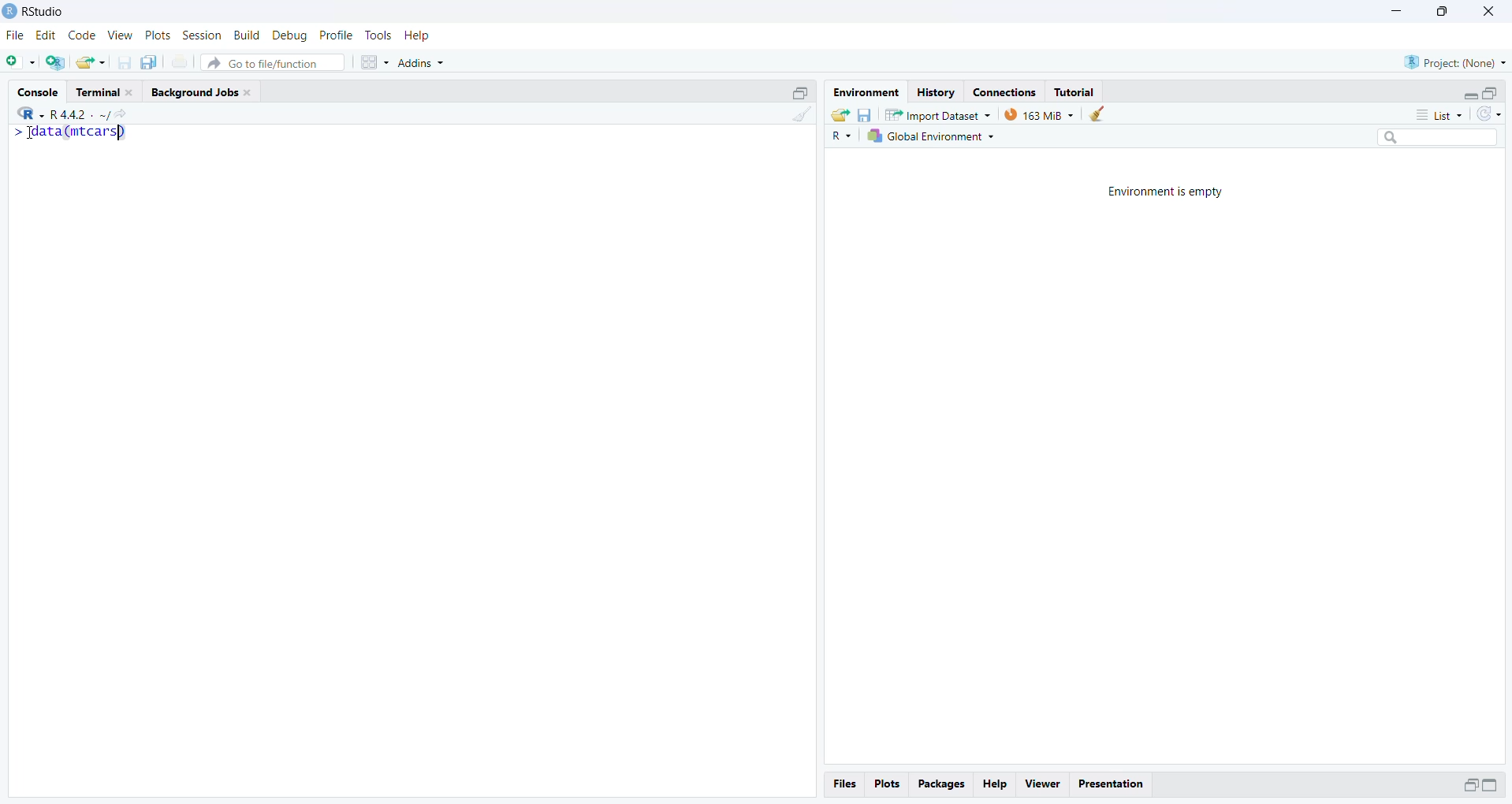 The width and height of the screenshot is (1512, 804). I want to click on sync, so click(1490, 114).